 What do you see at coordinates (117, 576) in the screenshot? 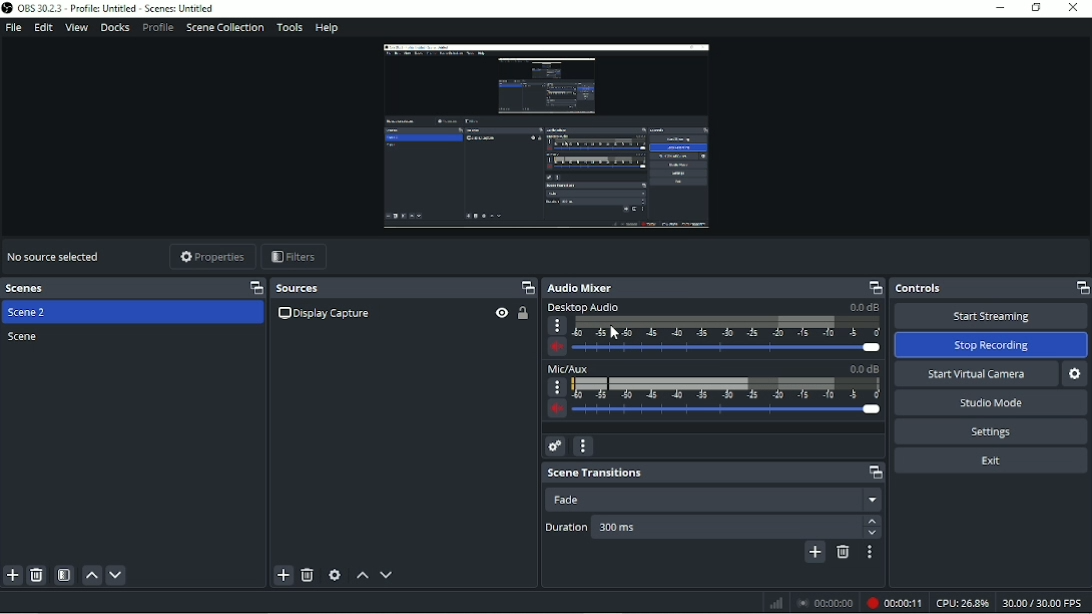
I see `Move scene down` at bounding box center [117, 576].